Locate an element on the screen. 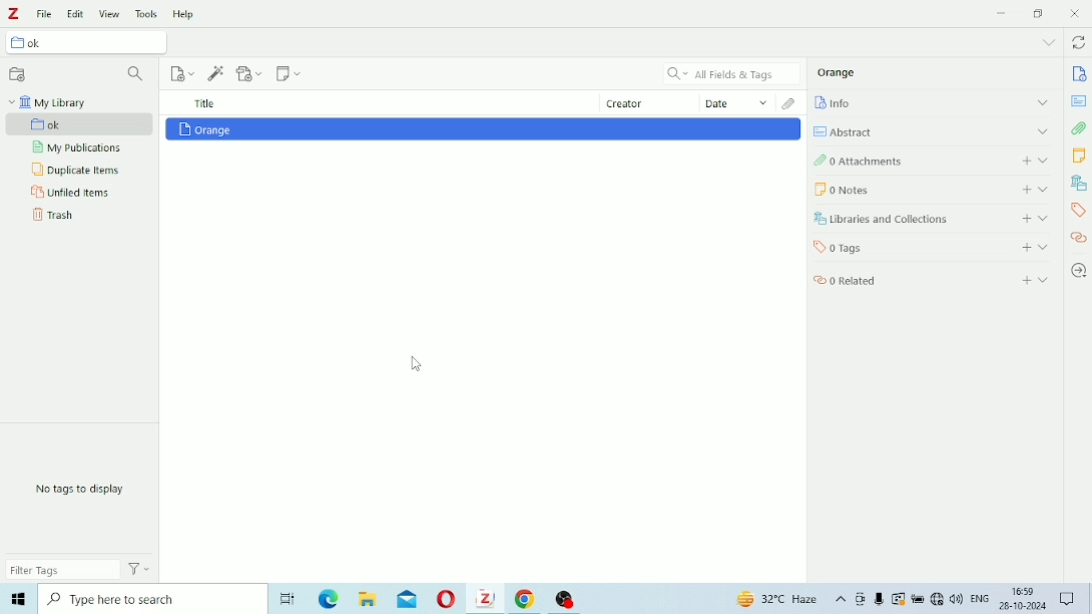 This screenshot has height=614, width=1092. Restore down is located at coordinates (1040, 14).